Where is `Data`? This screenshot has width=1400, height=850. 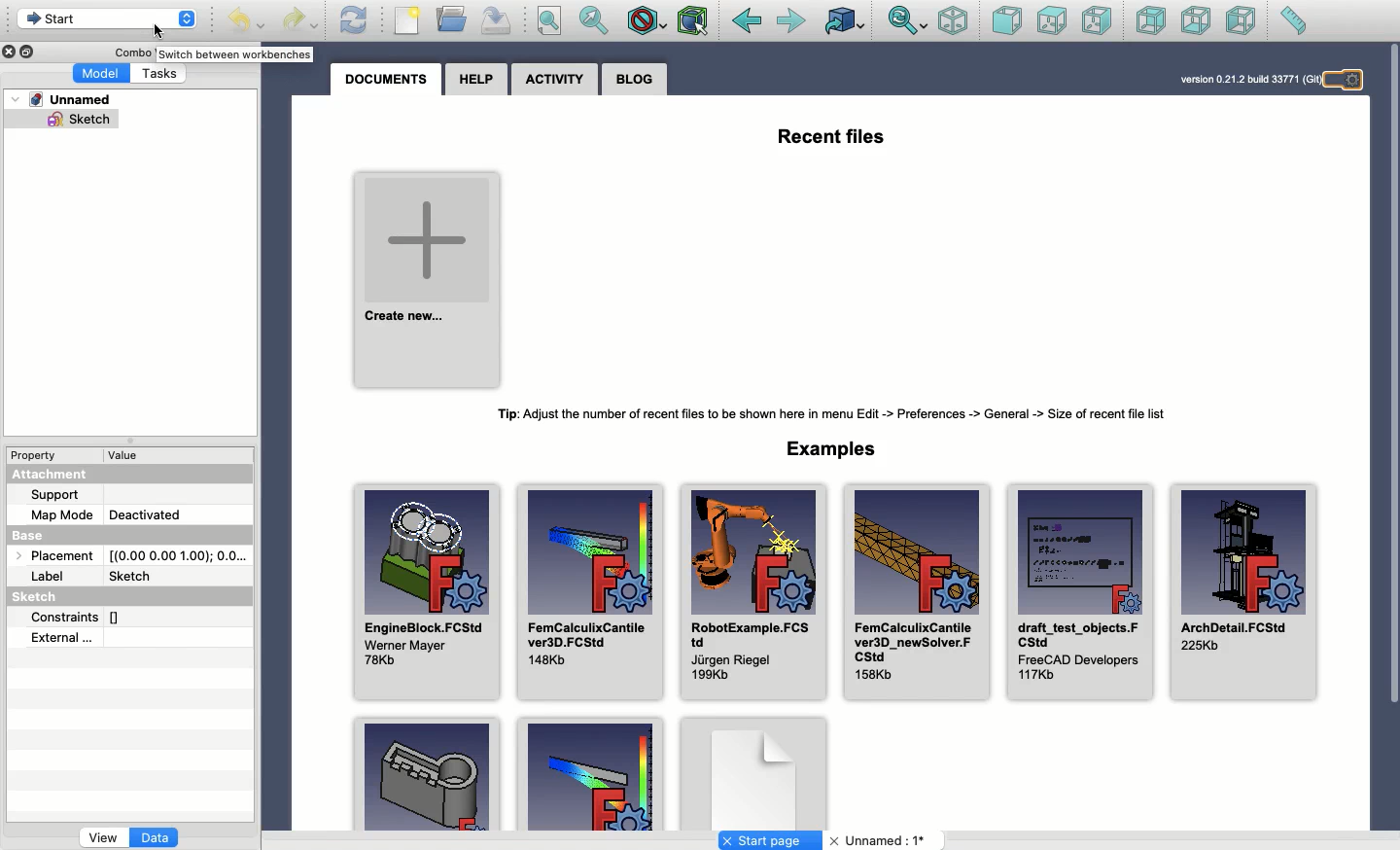 Data is located at coordinates (157, 839).